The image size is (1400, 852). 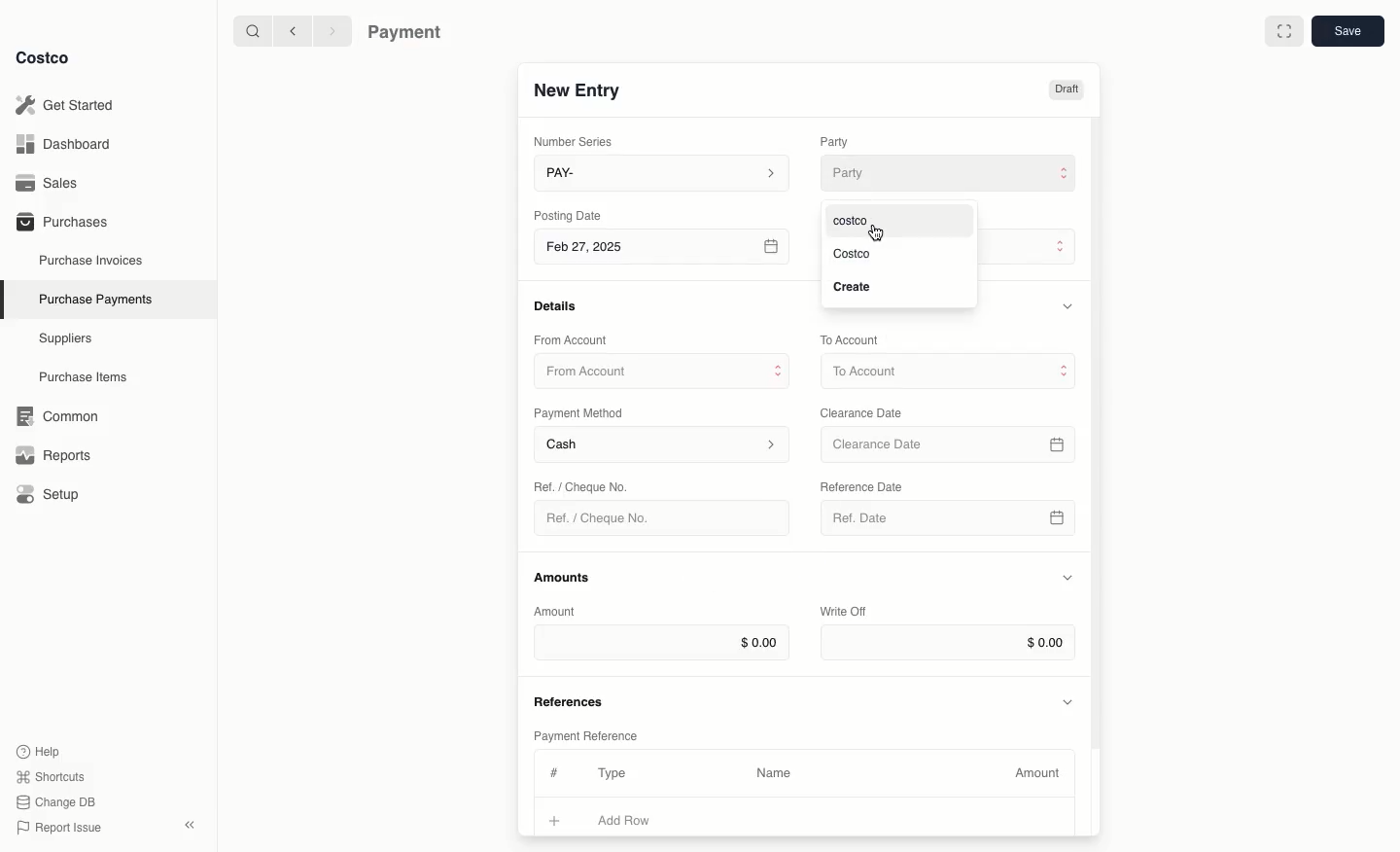 I want to click on Hide, so click(x=1067, y=579).